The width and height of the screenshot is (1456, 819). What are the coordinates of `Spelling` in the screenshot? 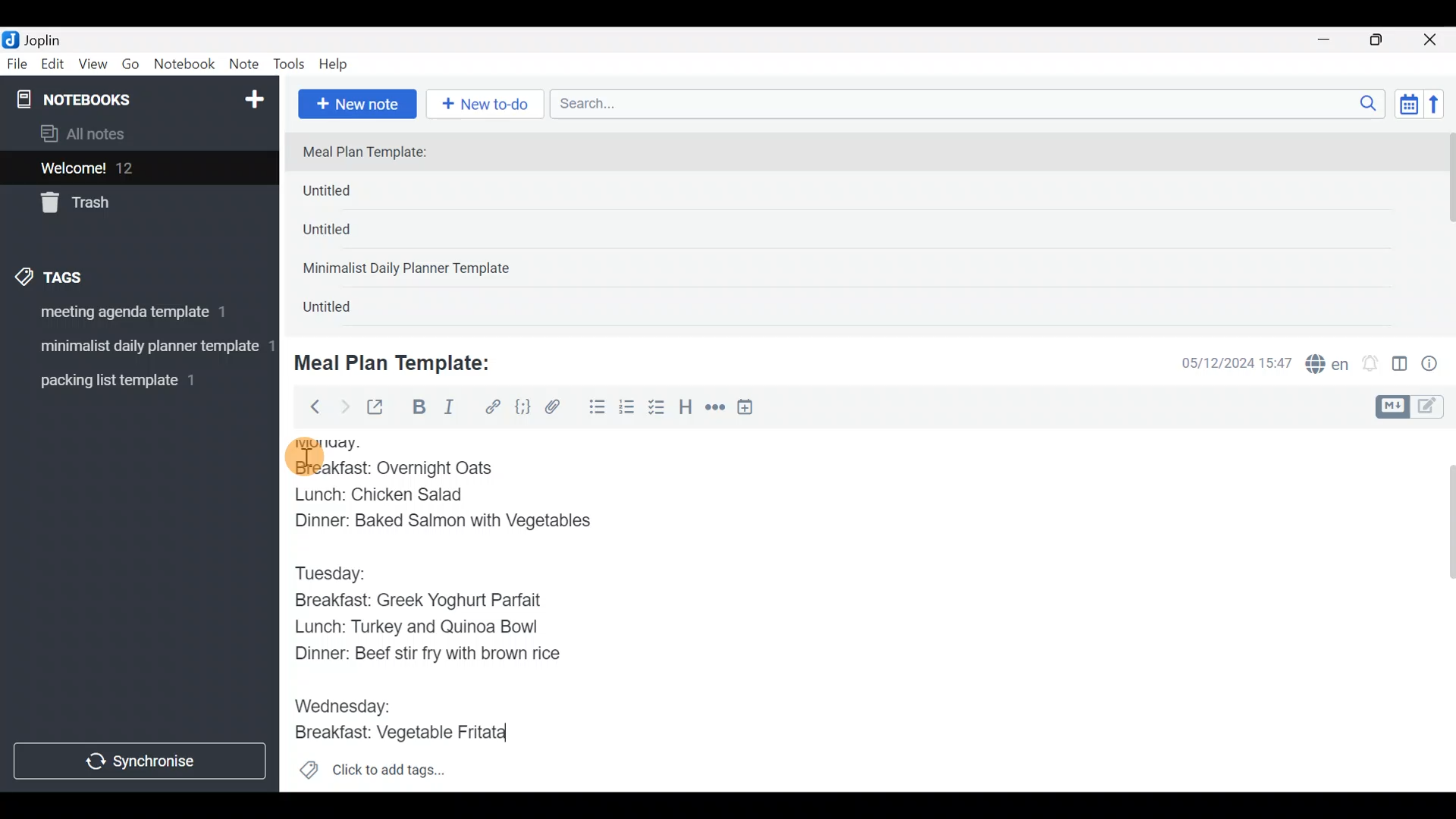 It's located at (1328, 366).